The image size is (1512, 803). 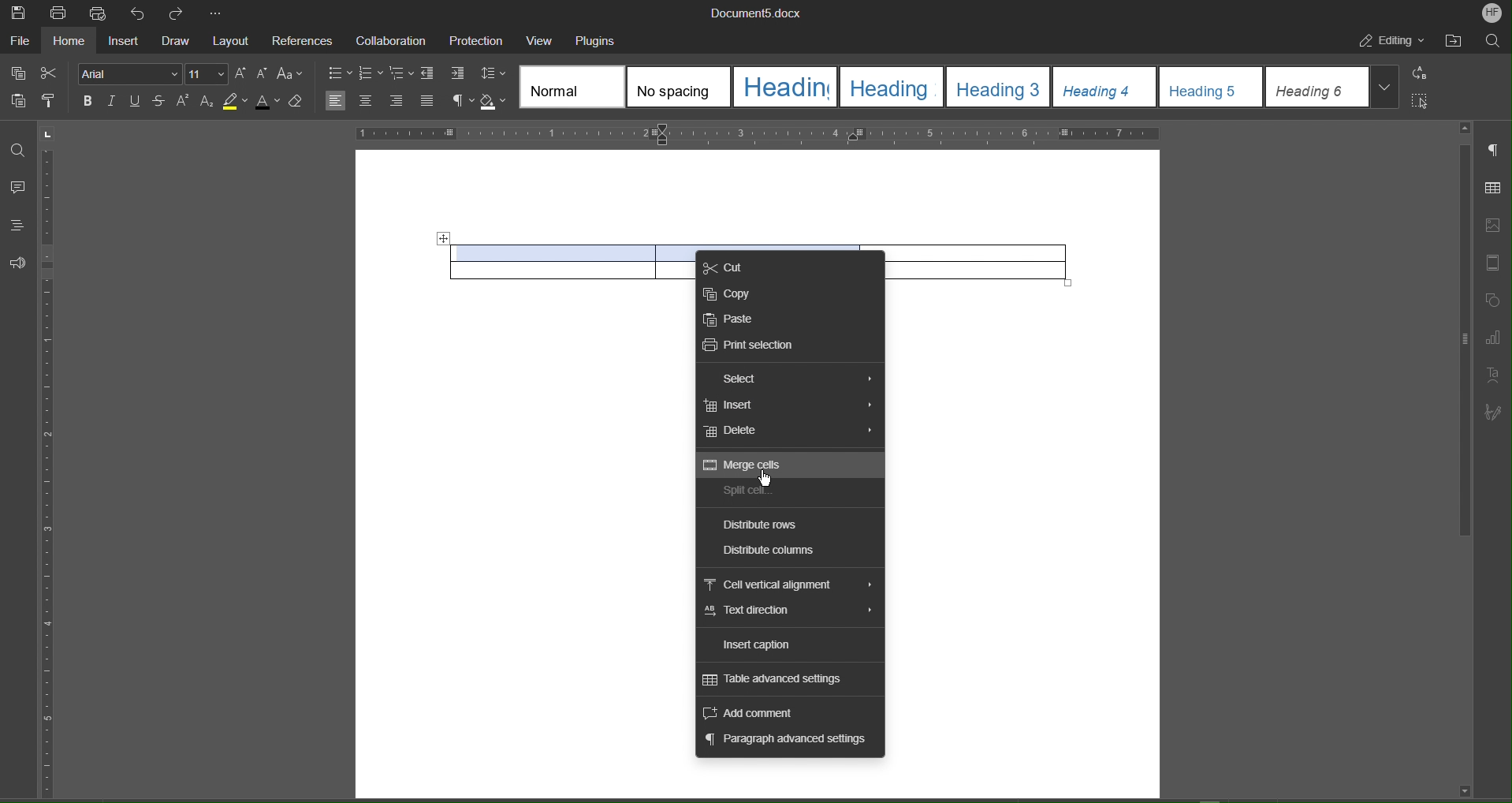 I want to click on Italic, so click(x=112, y=102).